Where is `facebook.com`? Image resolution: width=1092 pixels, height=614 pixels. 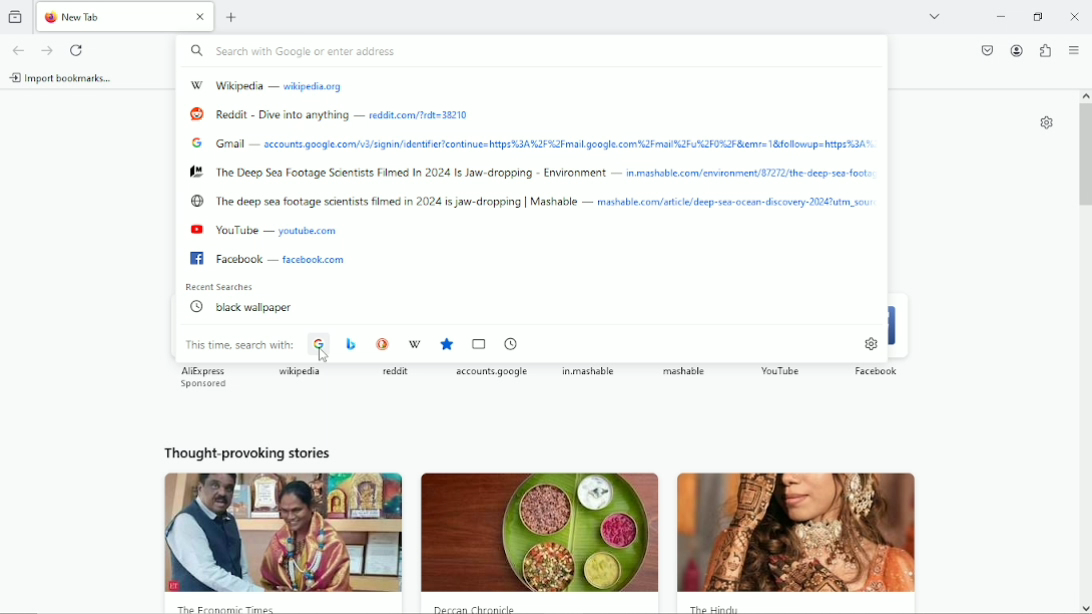
facebook.com is located at coordinates (313, 260).